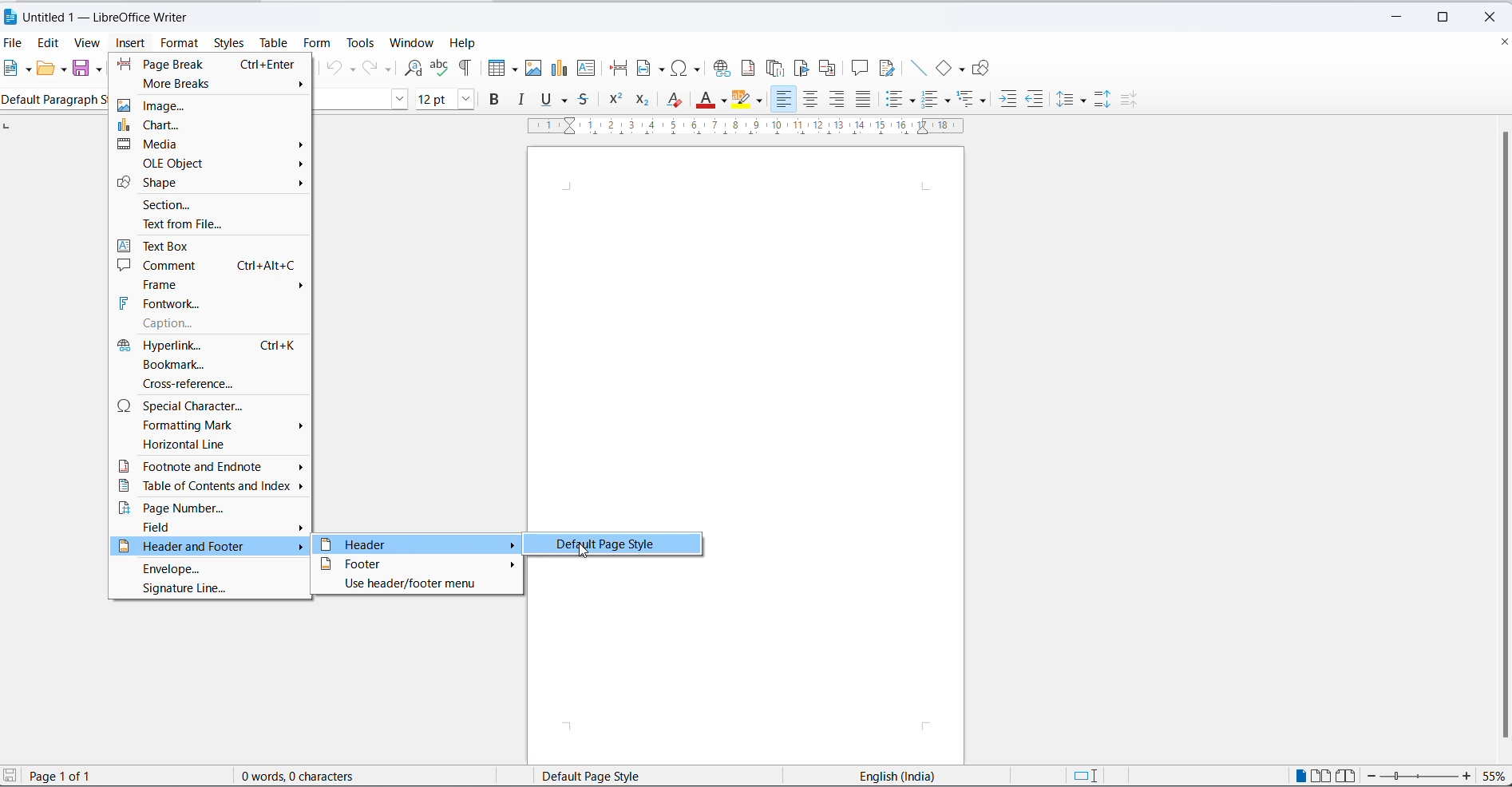 The height and width of the screenshot is (787, 1512). Describe the element at coordinates (644, 101) in the screenshot. I see `subscript` at that location.